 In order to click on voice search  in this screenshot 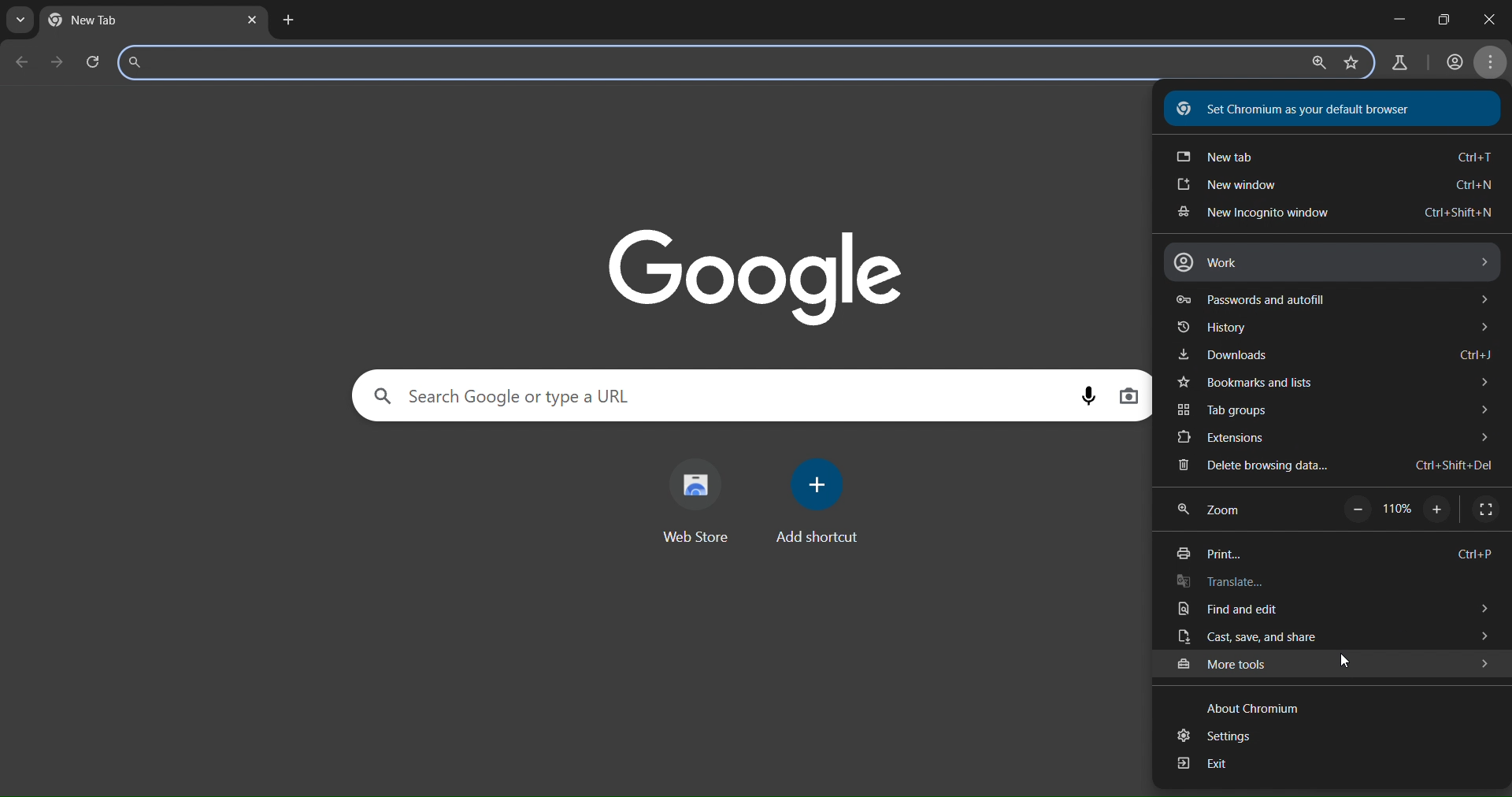, I will do `click(1084, 395)`.